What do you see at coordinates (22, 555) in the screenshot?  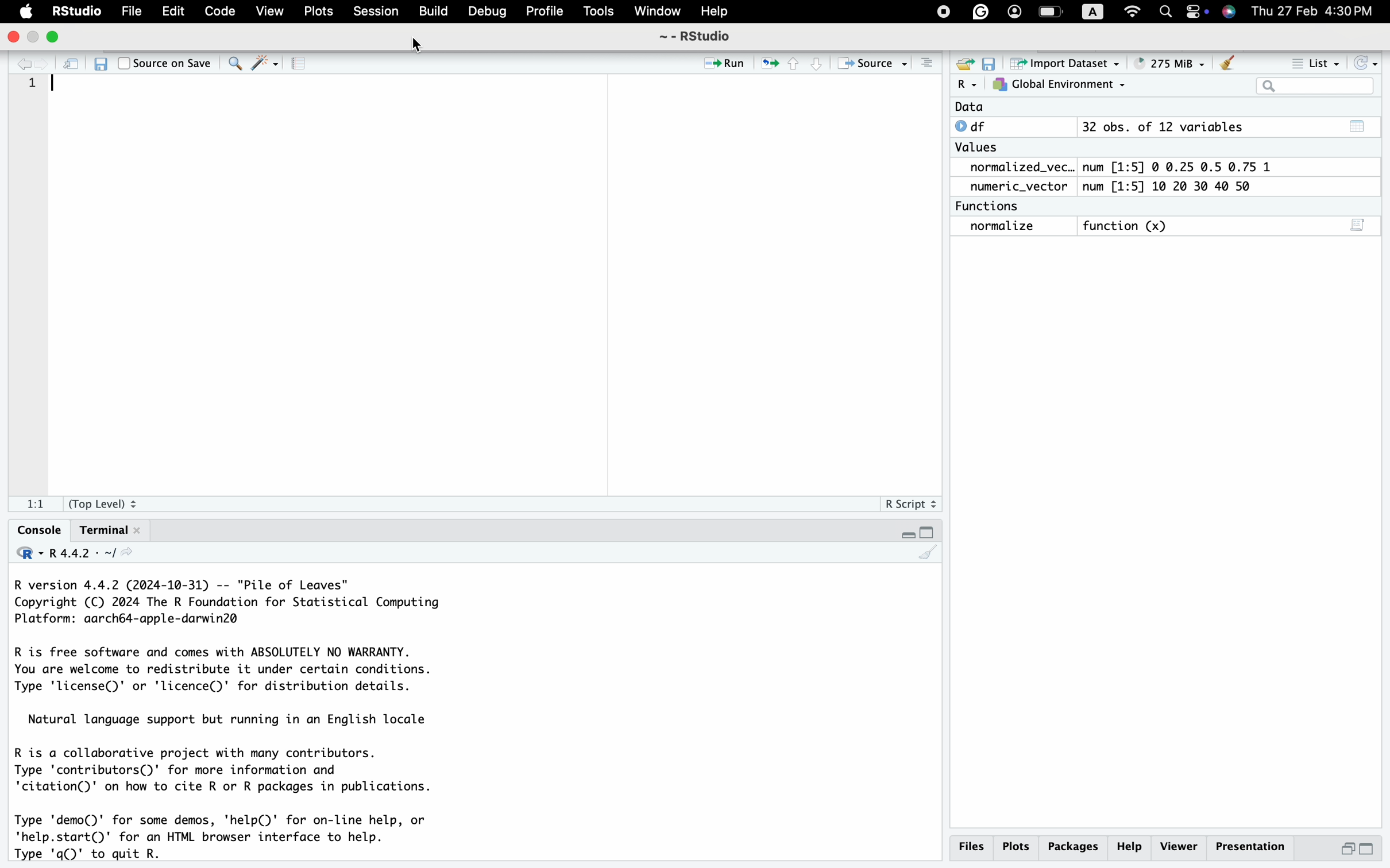 I see `select language` at bounding box center [22, 555].